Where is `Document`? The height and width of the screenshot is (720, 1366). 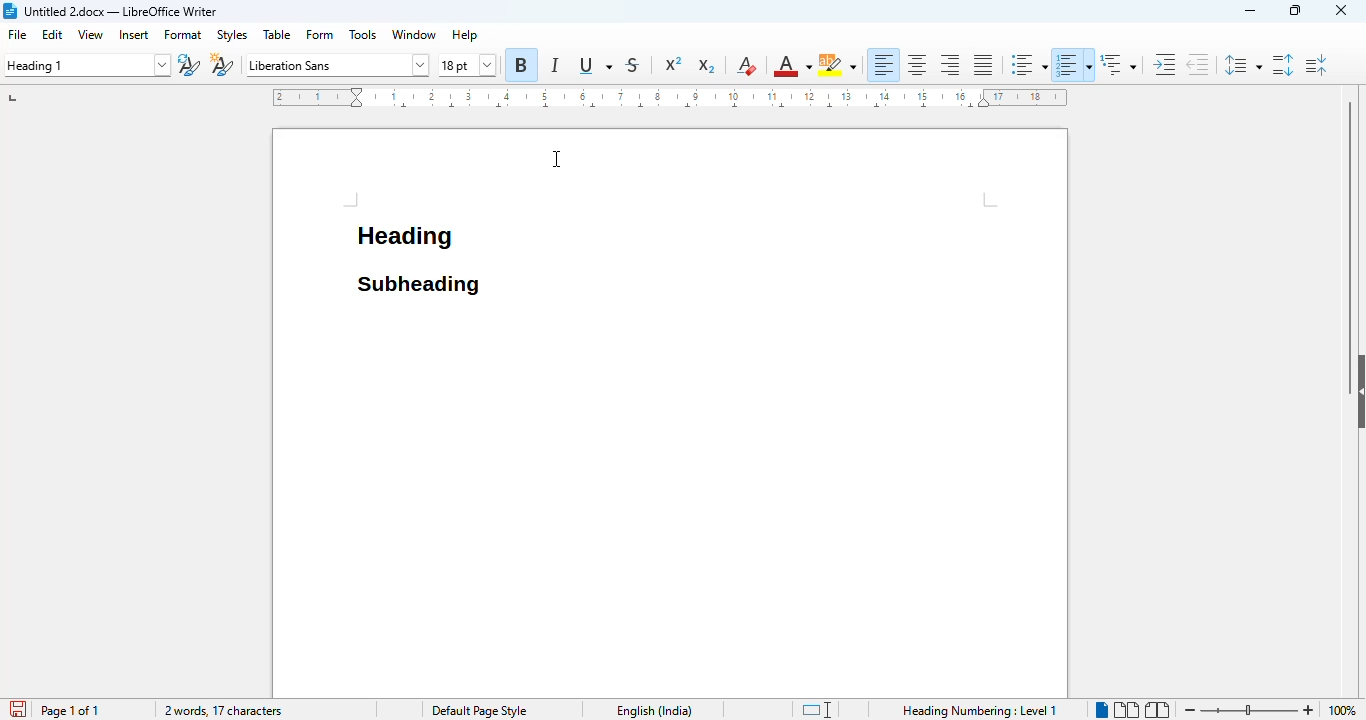 Document is located at coordinates (311, 214).